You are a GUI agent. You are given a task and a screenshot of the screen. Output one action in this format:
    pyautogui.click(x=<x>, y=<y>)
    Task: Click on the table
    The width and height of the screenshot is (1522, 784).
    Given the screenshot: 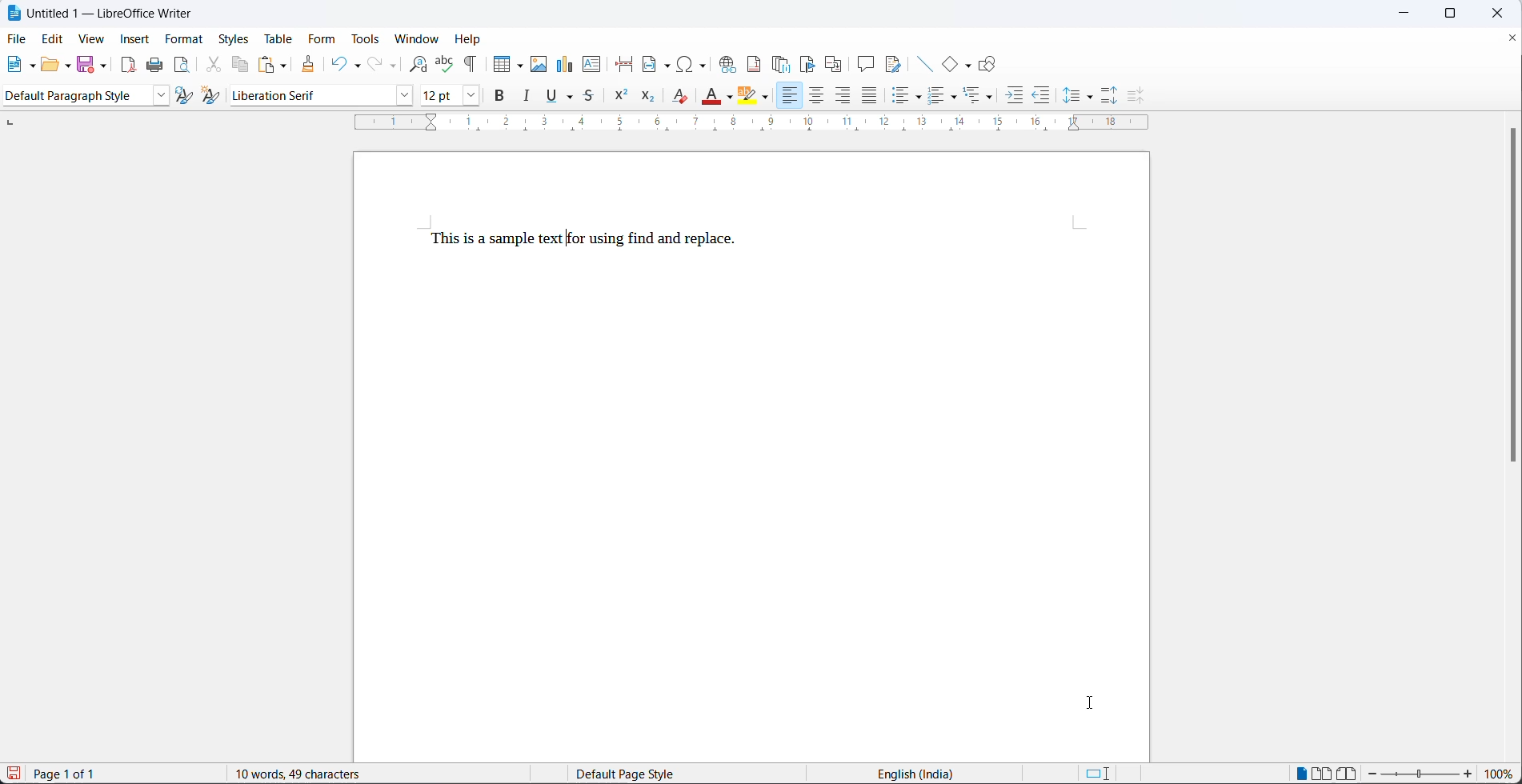 What is the action you would take?
    pyautogui.click(x=276, y=38)
    